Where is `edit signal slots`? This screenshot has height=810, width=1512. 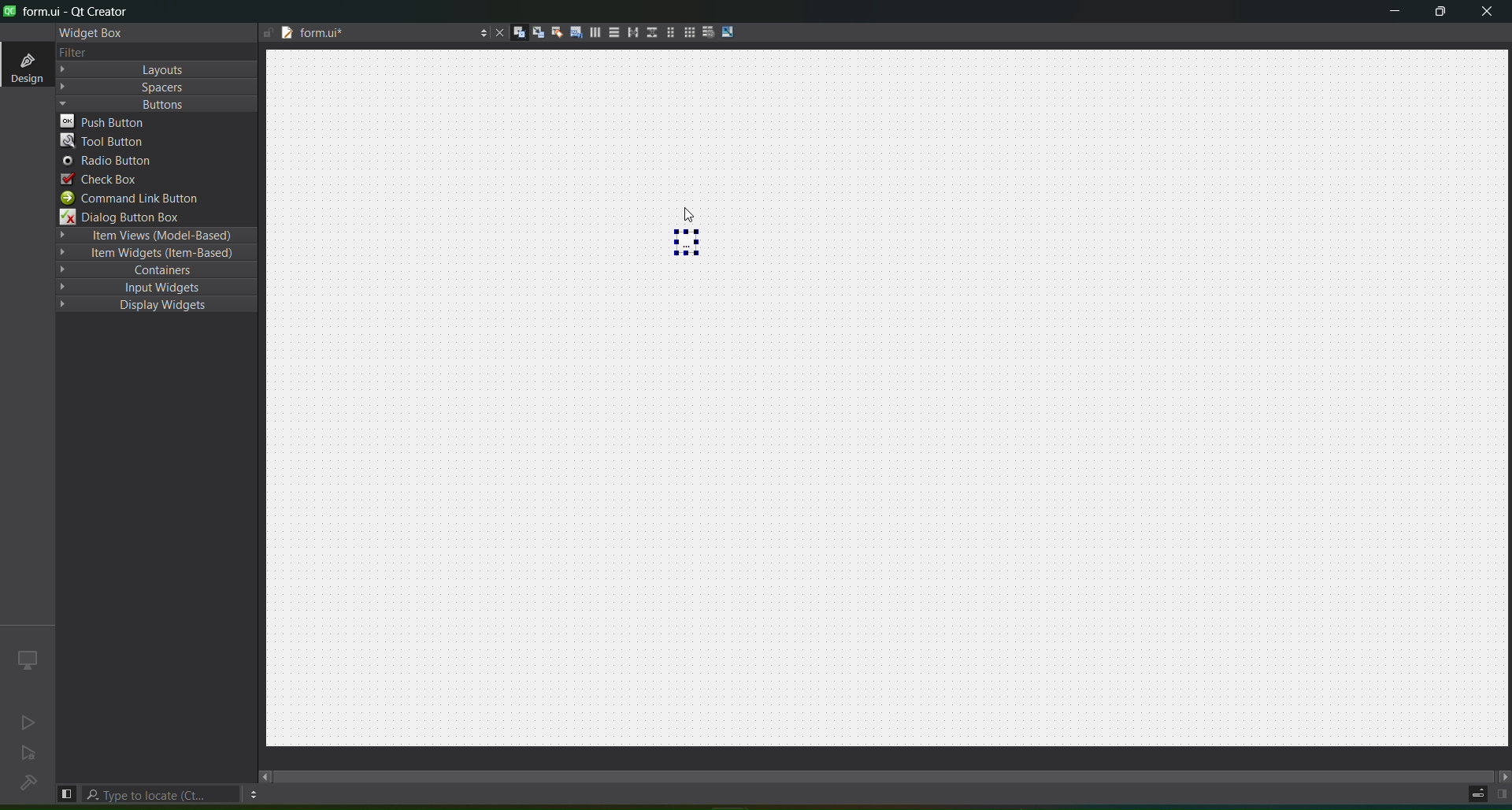 edit signal slots is located at coordinates (534, 30).